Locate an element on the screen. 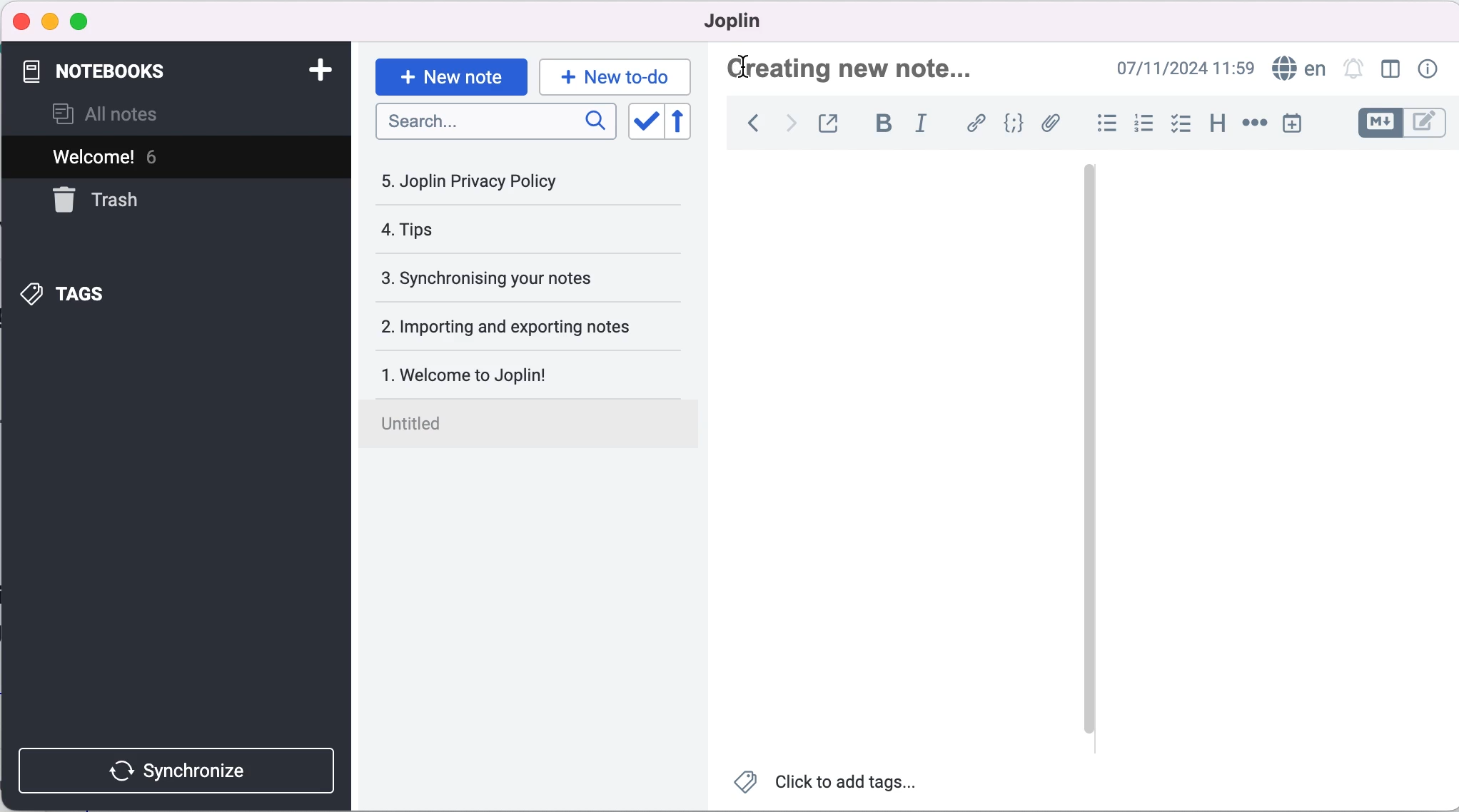 This screenshot has width=1459, height=812. add file is located at coordinates (1052, 124).